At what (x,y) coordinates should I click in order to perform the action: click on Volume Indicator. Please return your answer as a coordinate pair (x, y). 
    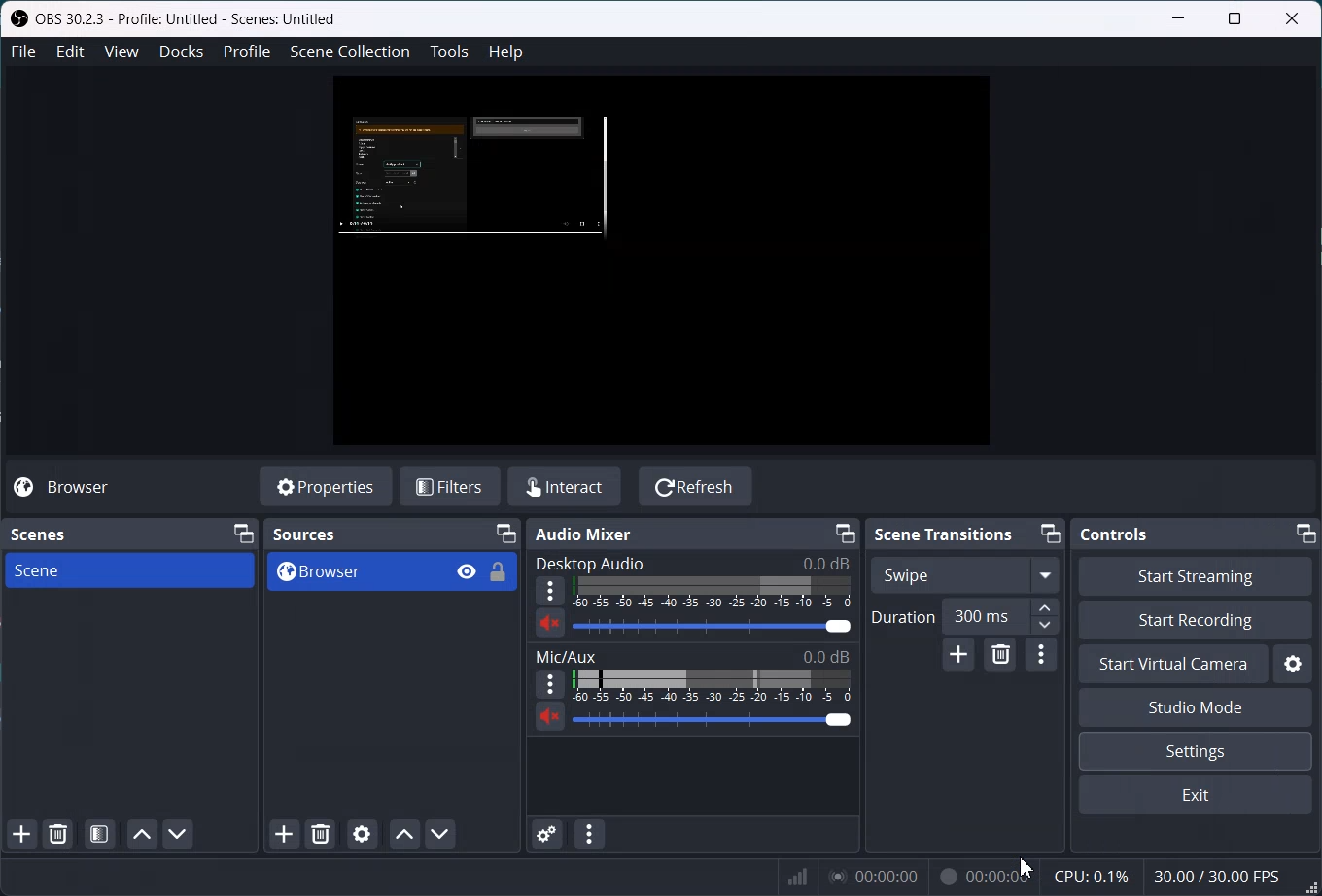
    Looking at the image, I should click on (713, 685).